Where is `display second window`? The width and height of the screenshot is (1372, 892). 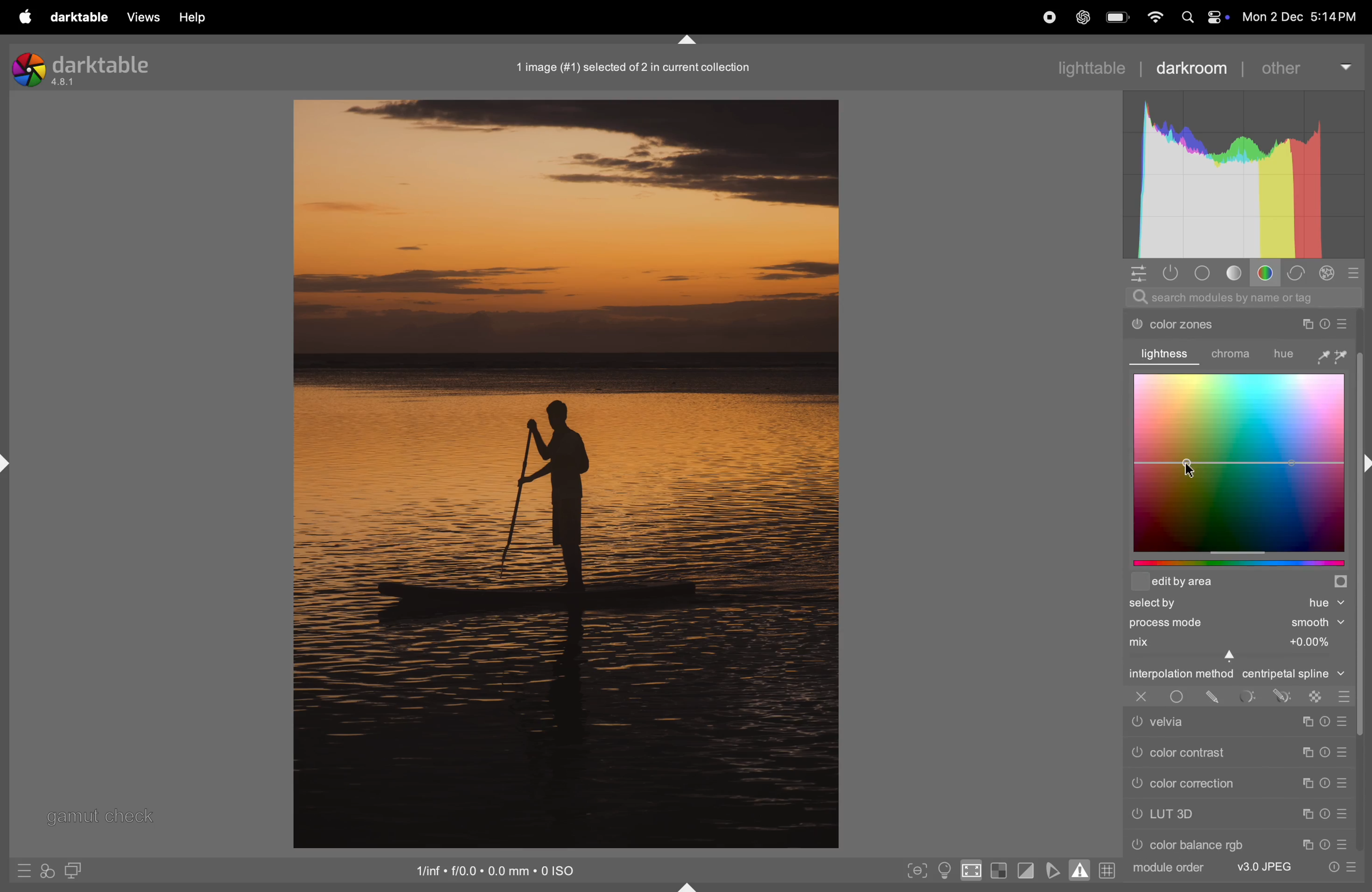 display second window is located at coordinates (76, 872).